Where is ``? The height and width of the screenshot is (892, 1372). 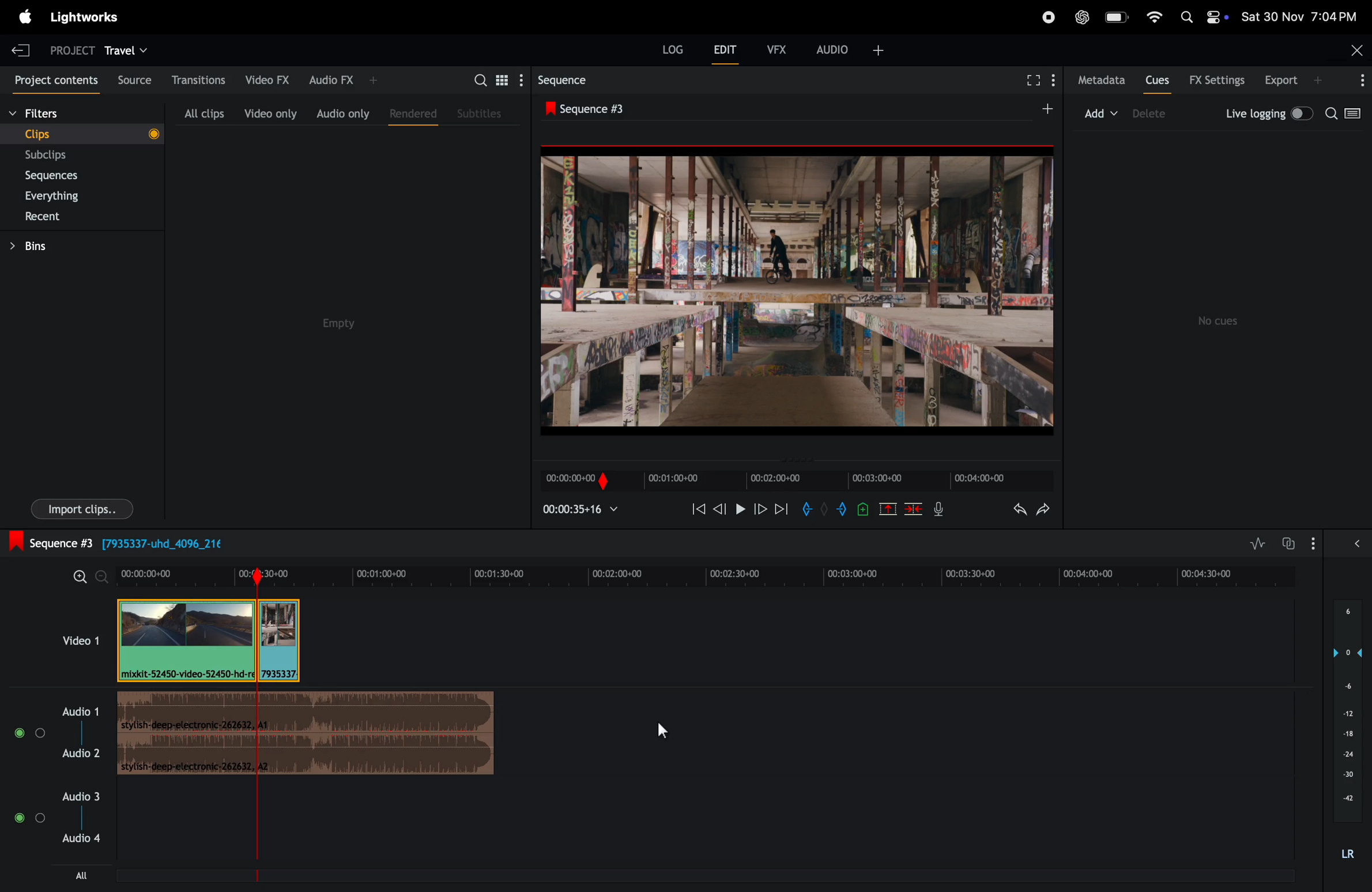  is located at coordinates (823, 510).